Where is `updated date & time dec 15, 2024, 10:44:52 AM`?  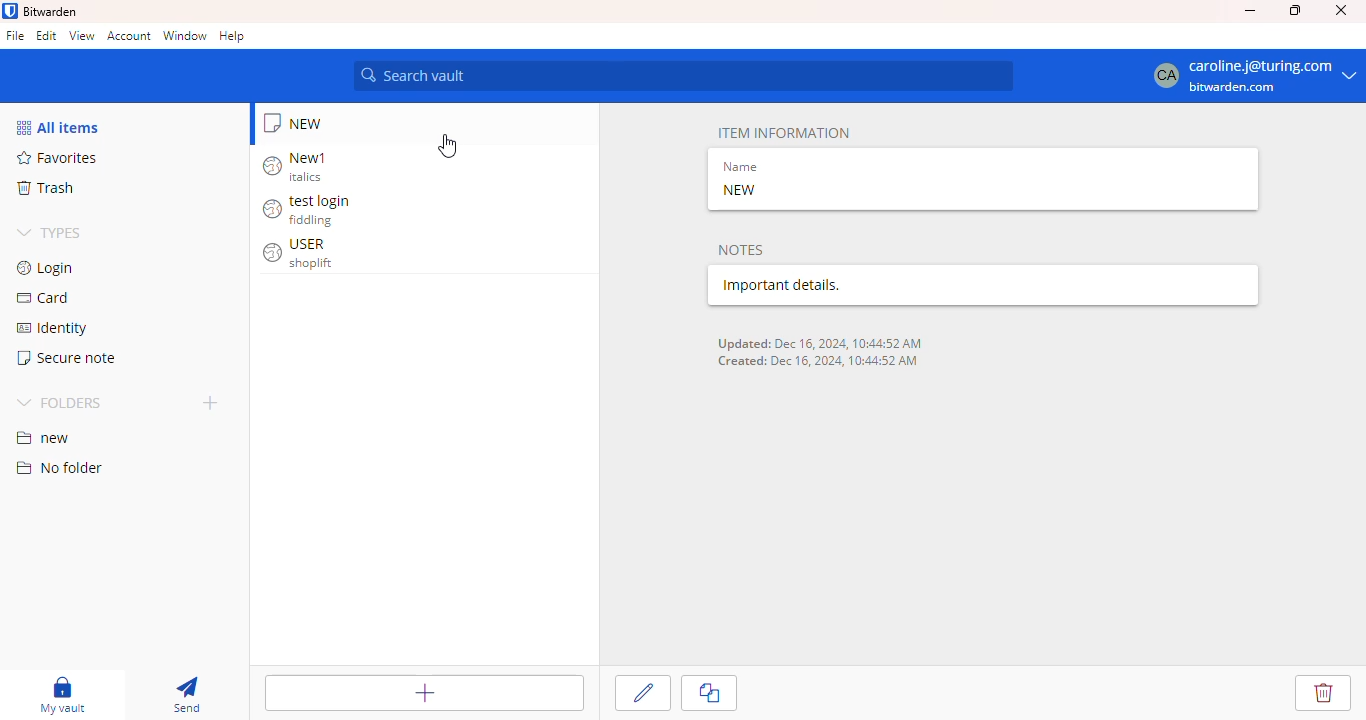 updated date & time dec 15, 2024, 10:44:52 AM is located at coordinates (820, 342).